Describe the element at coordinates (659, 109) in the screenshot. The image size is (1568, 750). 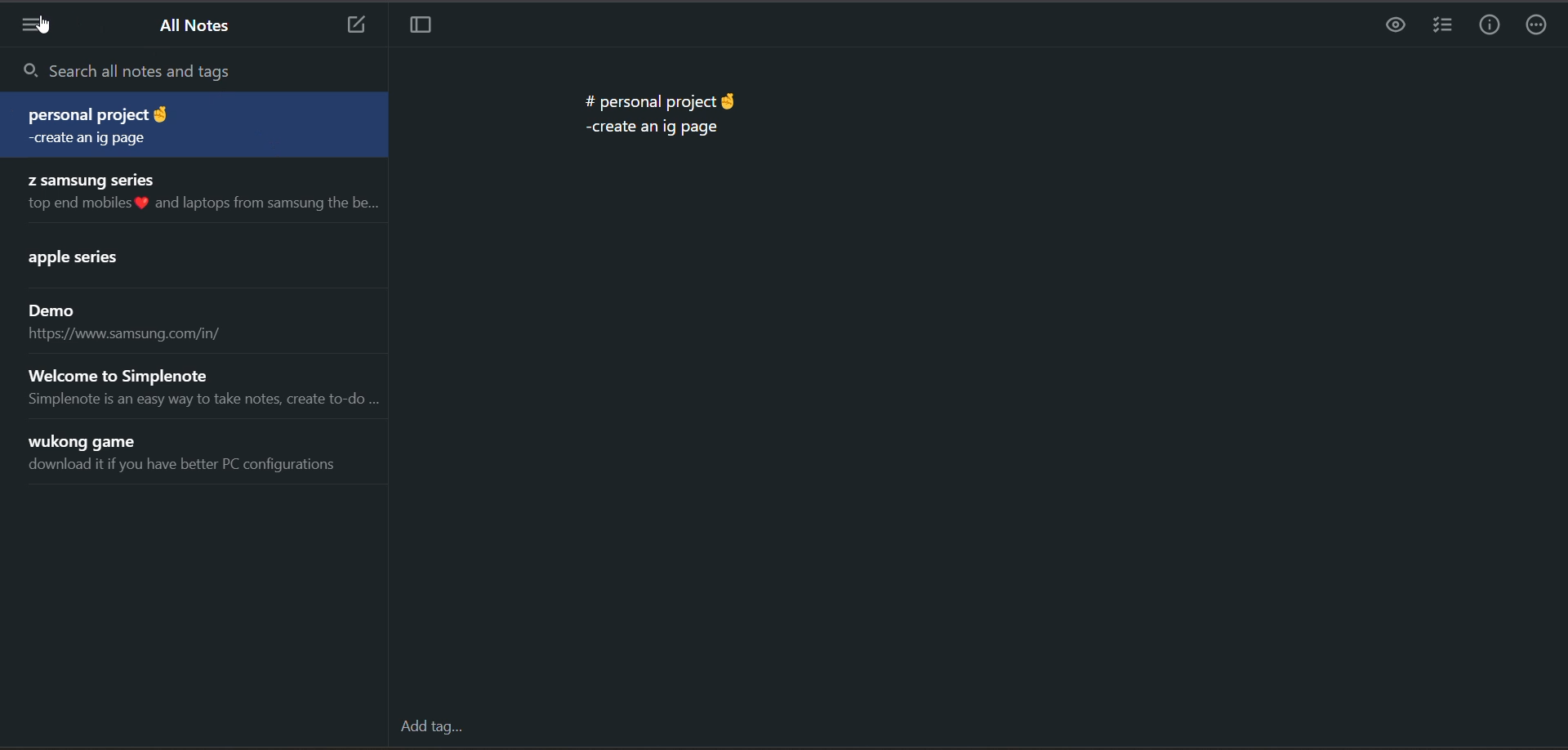
I see `data from current note` at that location.